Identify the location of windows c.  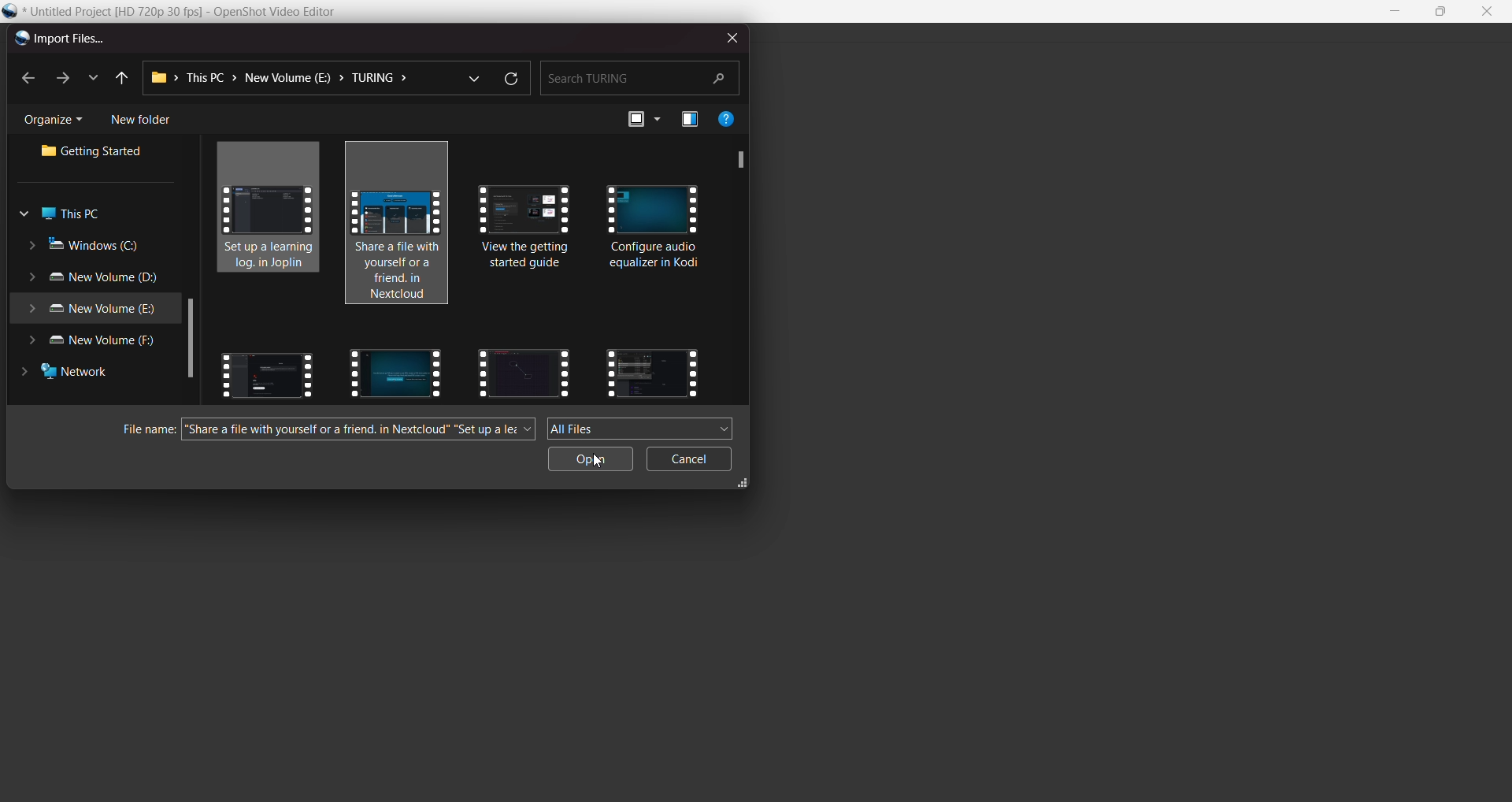
(87, 246).